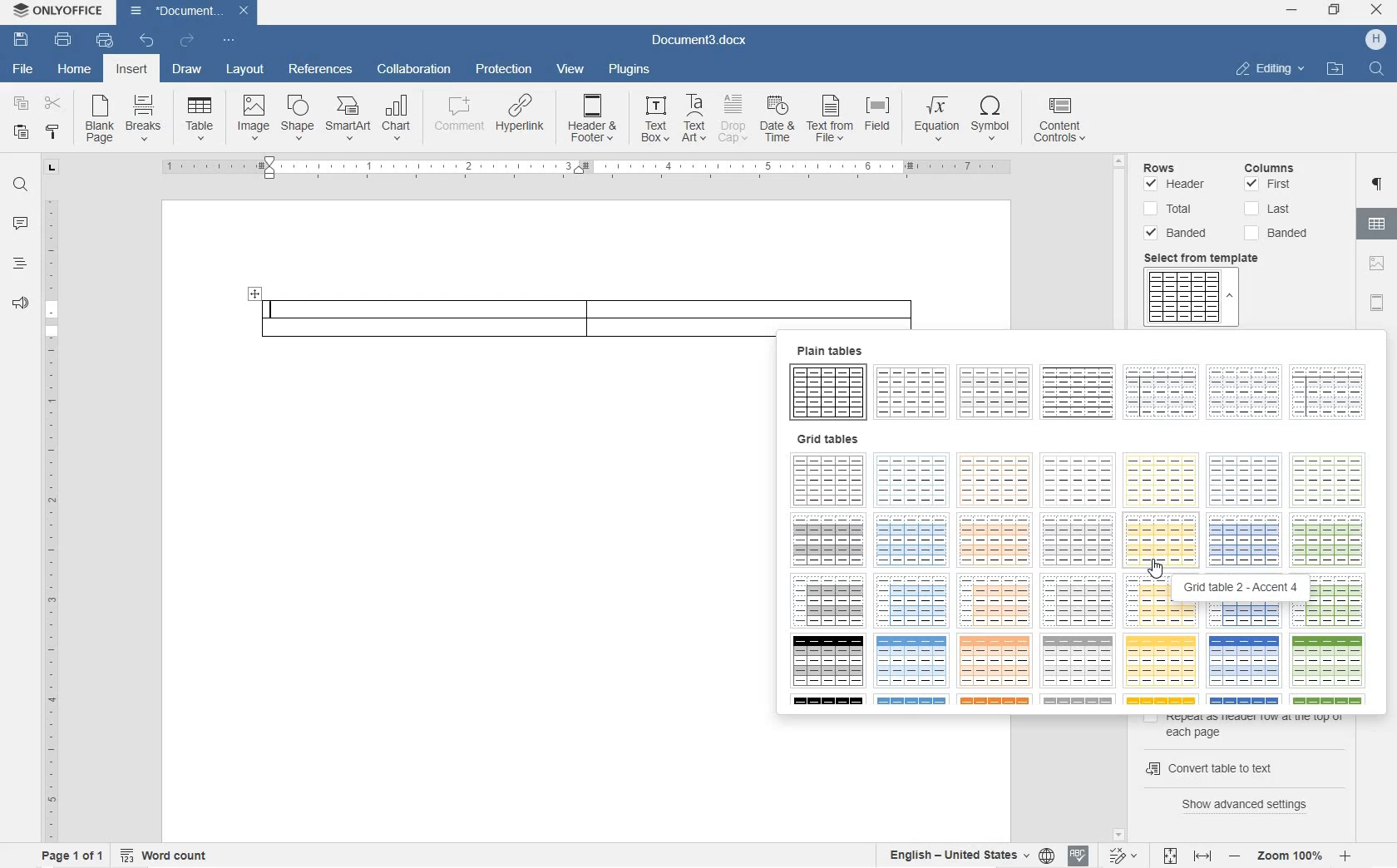 The height and width of the screenshot is (868, 1397). What do you see at coordinates (966, 853) in the screenshot?
I see `SET TEXT OR DOCUMENT LANGUAGE` at bounding box center [966, 853].